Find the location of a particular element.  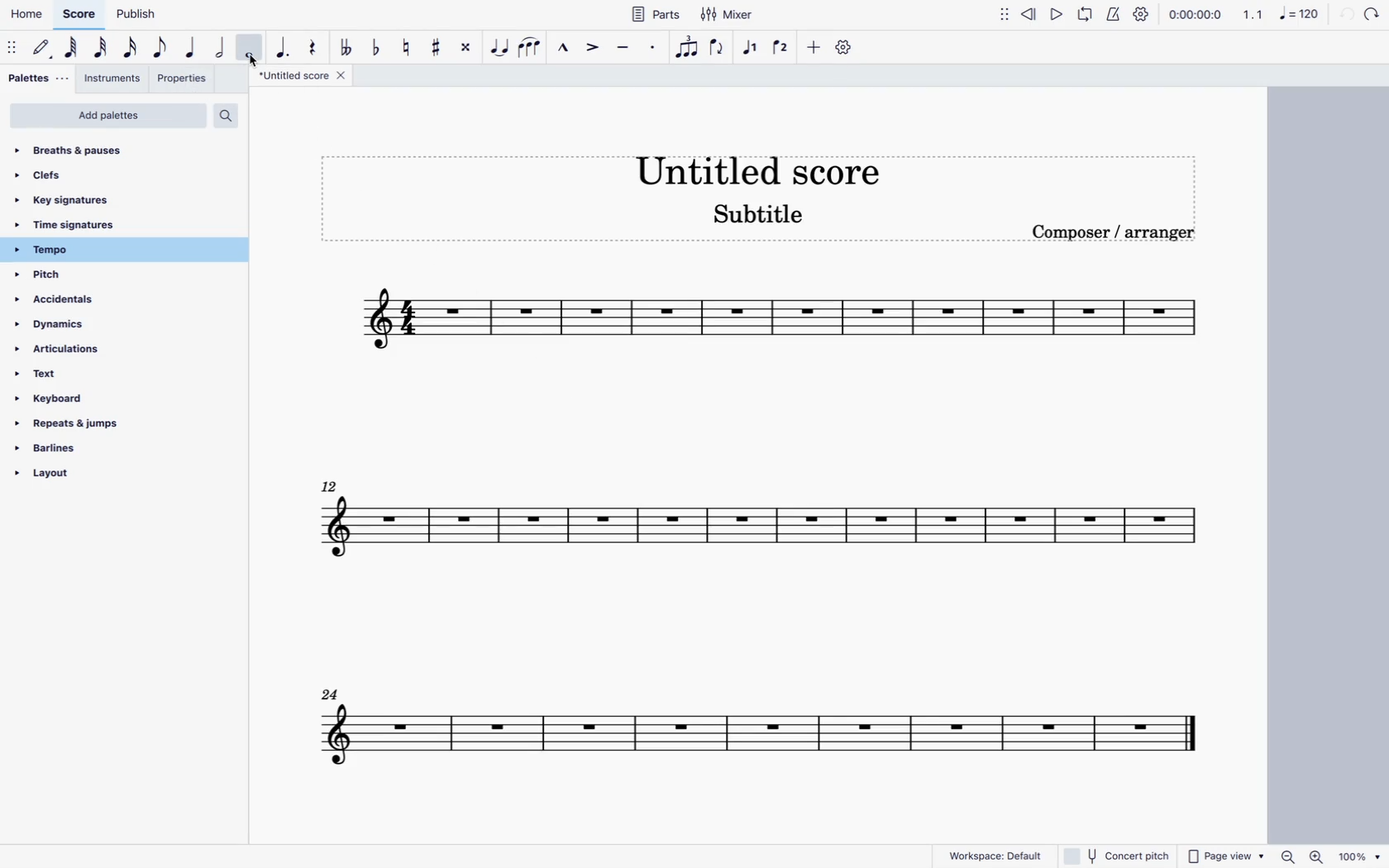

publish is located at coordinates (138, 13).